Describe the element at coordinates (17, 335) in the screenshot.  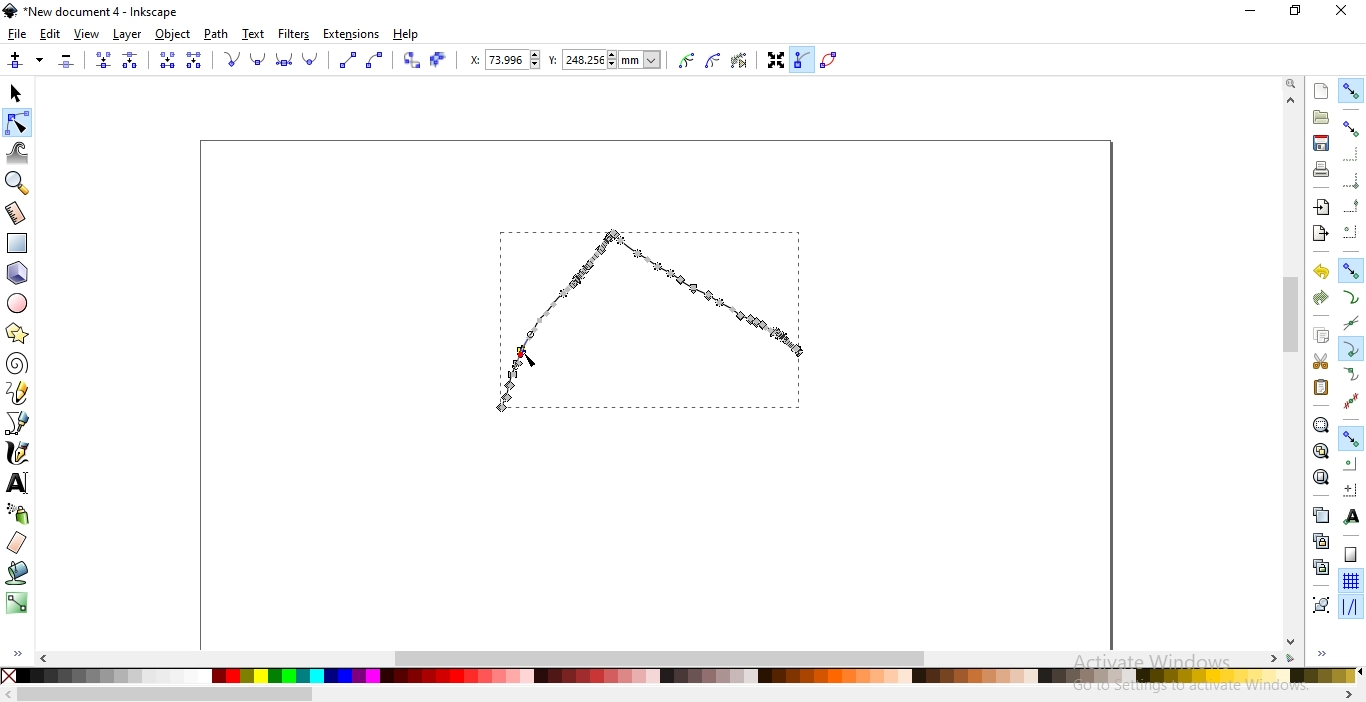
I see `create stars and polygons` at that location.